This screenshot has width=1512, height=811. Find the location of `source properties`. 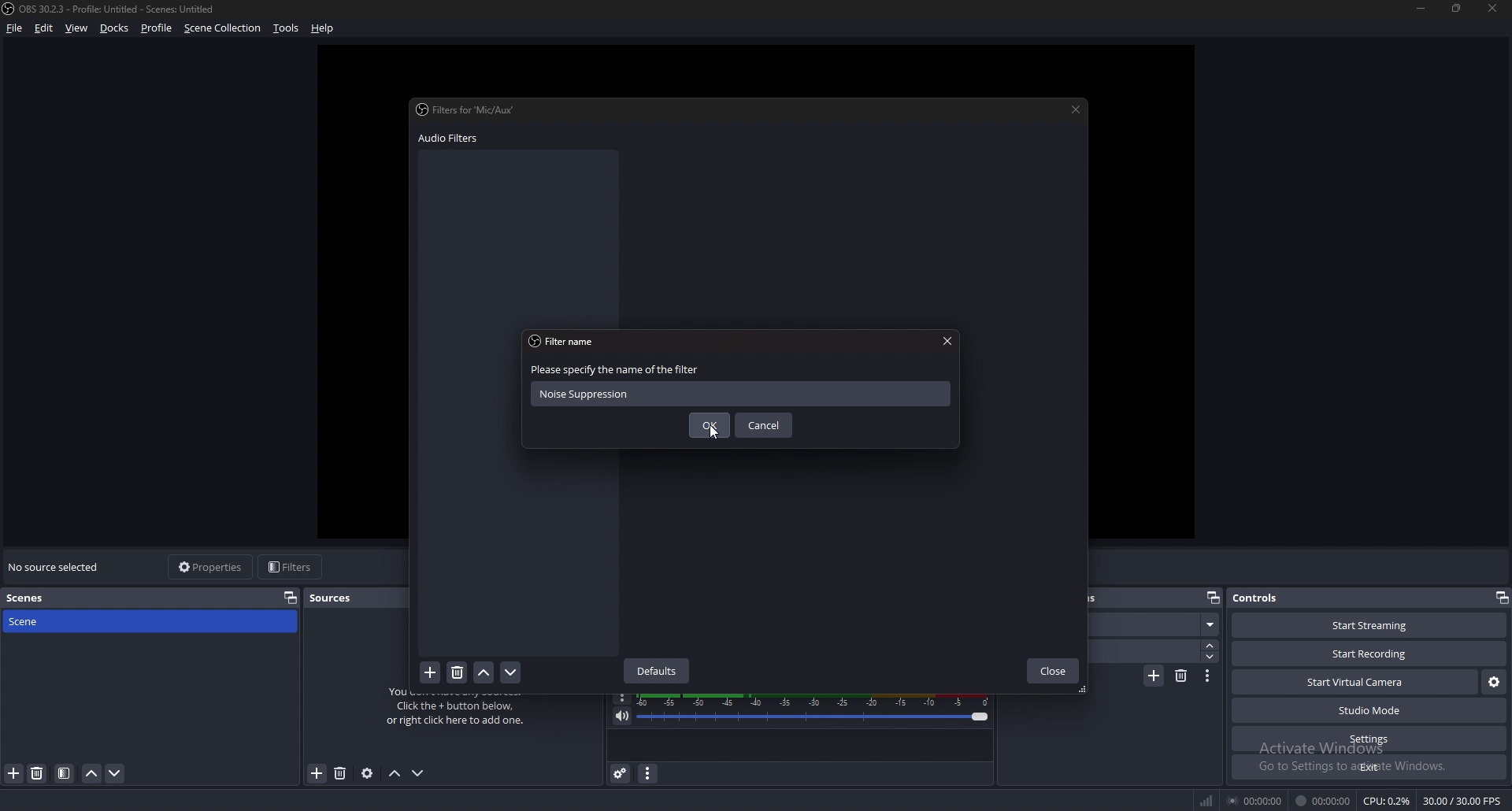

source properties is located at coordinates (368, 774).